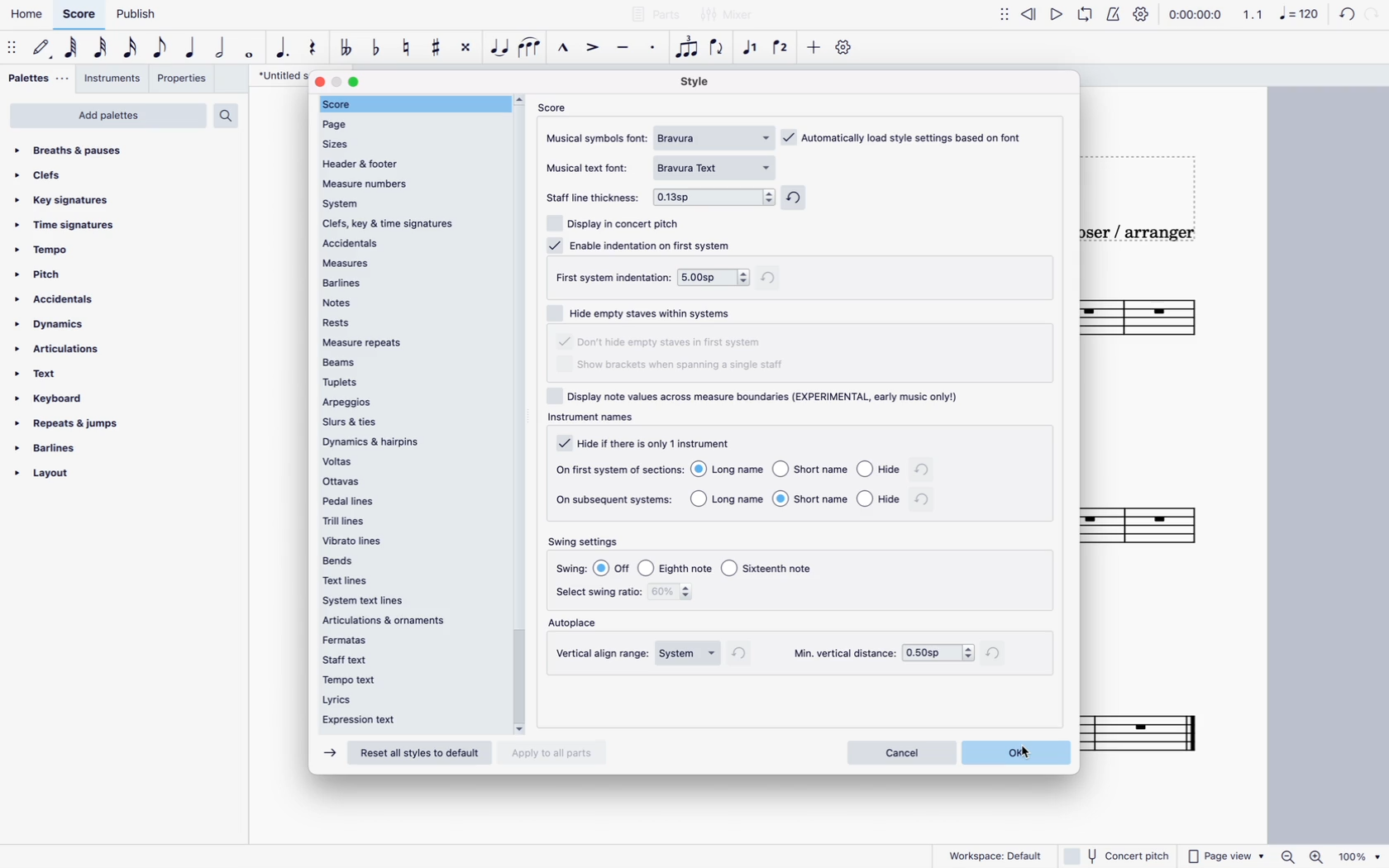  I want to click on layout, so click(70, 477).